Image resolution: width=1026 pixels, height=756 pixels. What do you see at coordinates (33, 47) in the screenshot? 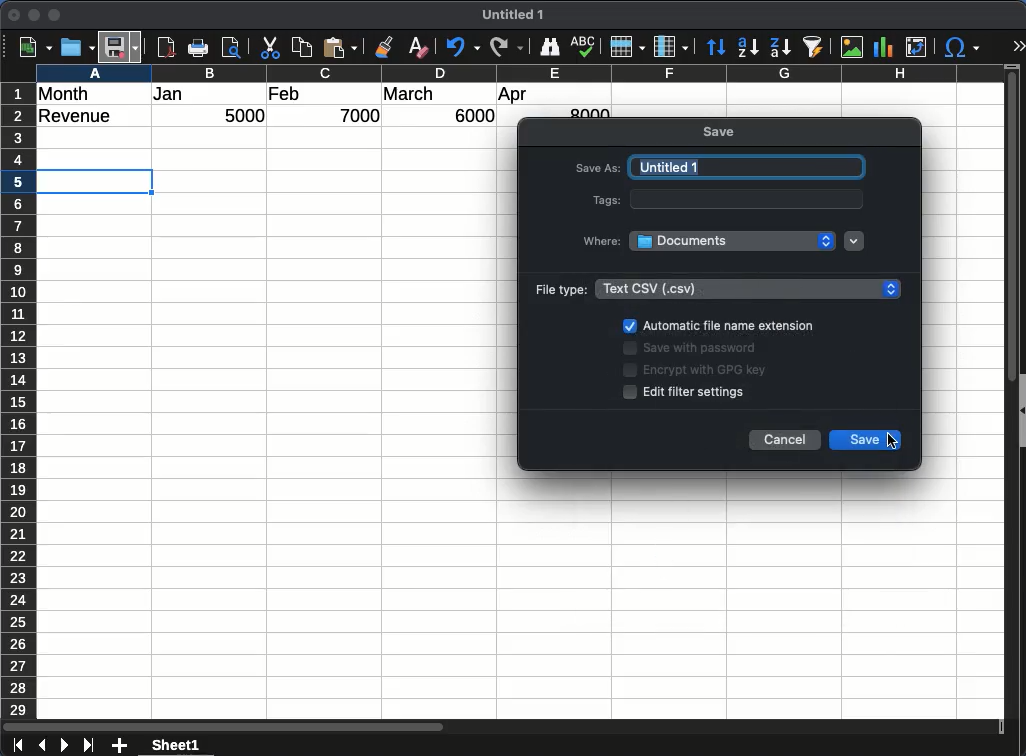
I see `new` at bounding box center [33, 47].